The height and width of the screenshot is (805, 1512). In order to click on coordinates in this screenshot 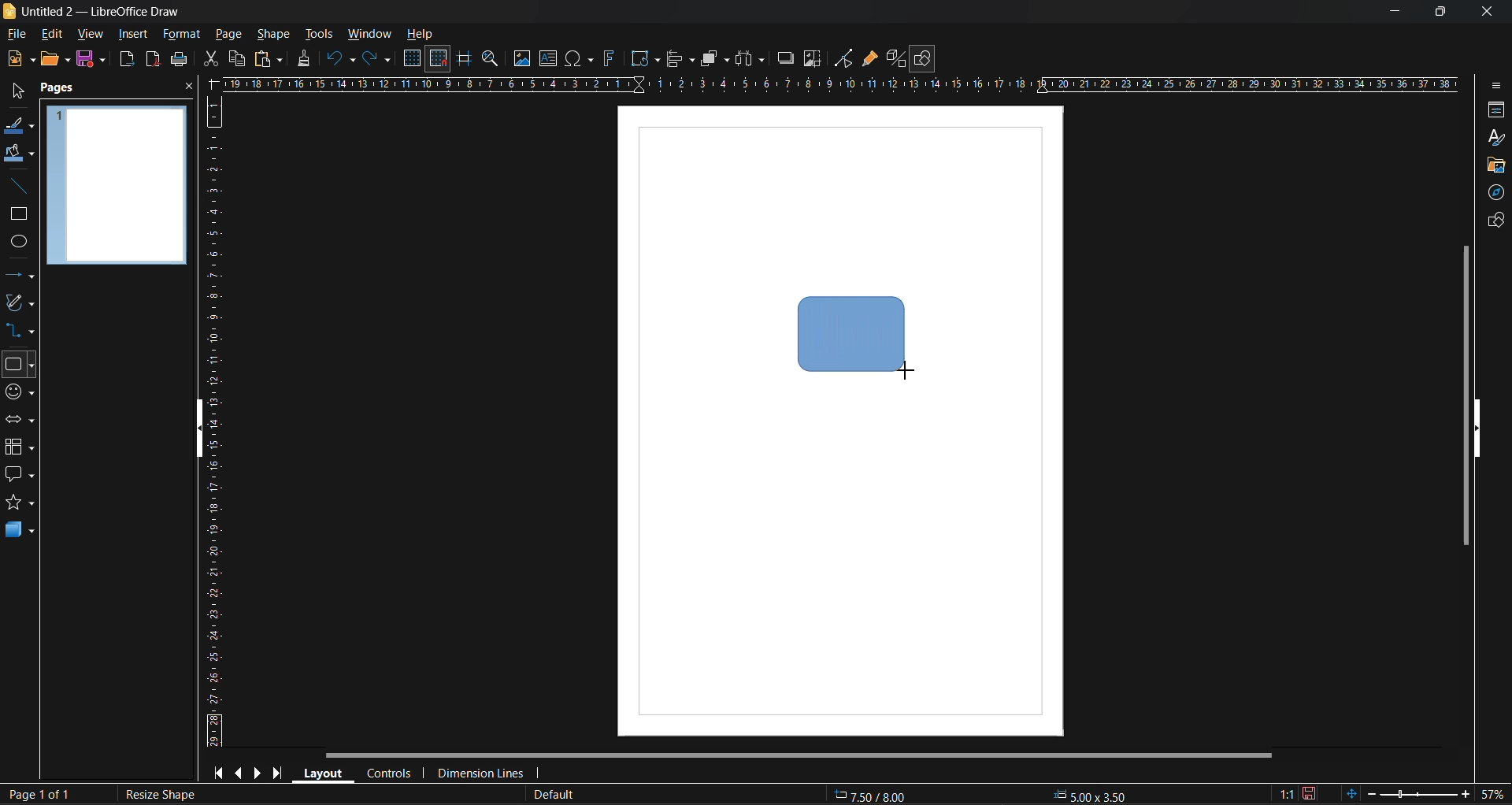, I will do `click(978, 796)`.